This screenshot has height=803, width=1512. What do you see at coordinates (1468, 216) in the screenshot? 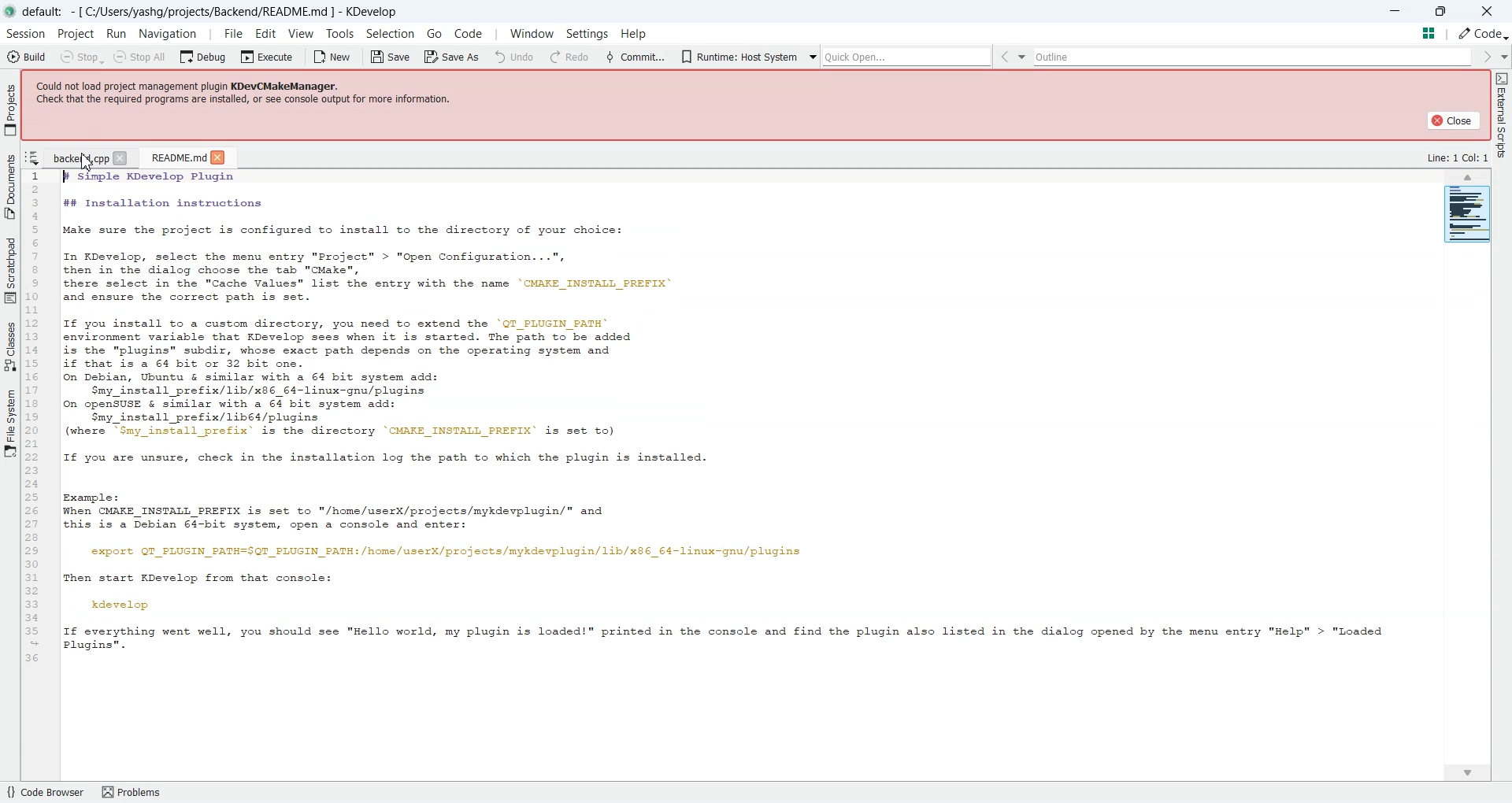
I see `Project overview` at bounding box center [1468, 216].